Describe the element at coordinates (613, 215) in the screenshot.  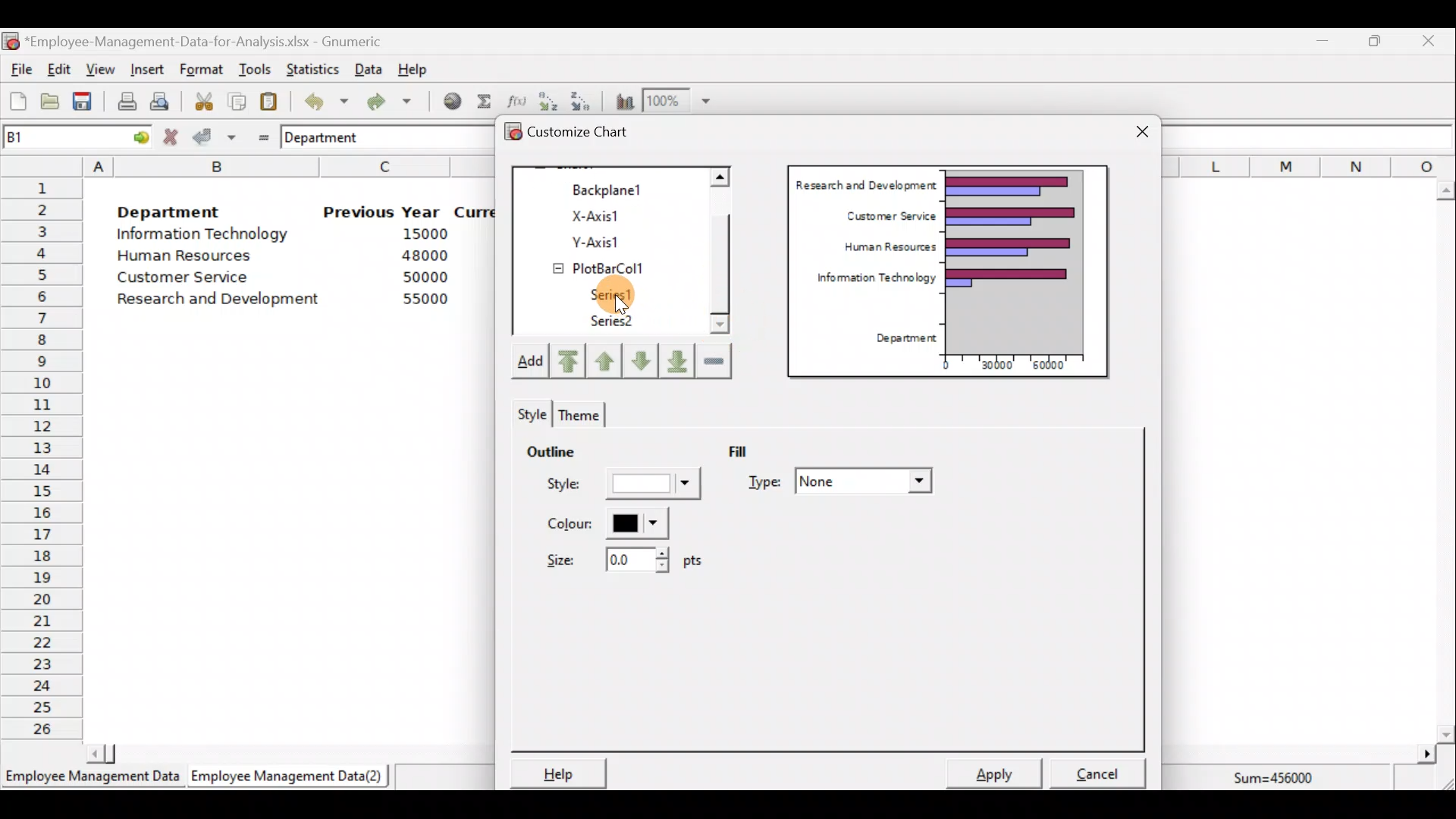
I see `X-axis1` at that location.